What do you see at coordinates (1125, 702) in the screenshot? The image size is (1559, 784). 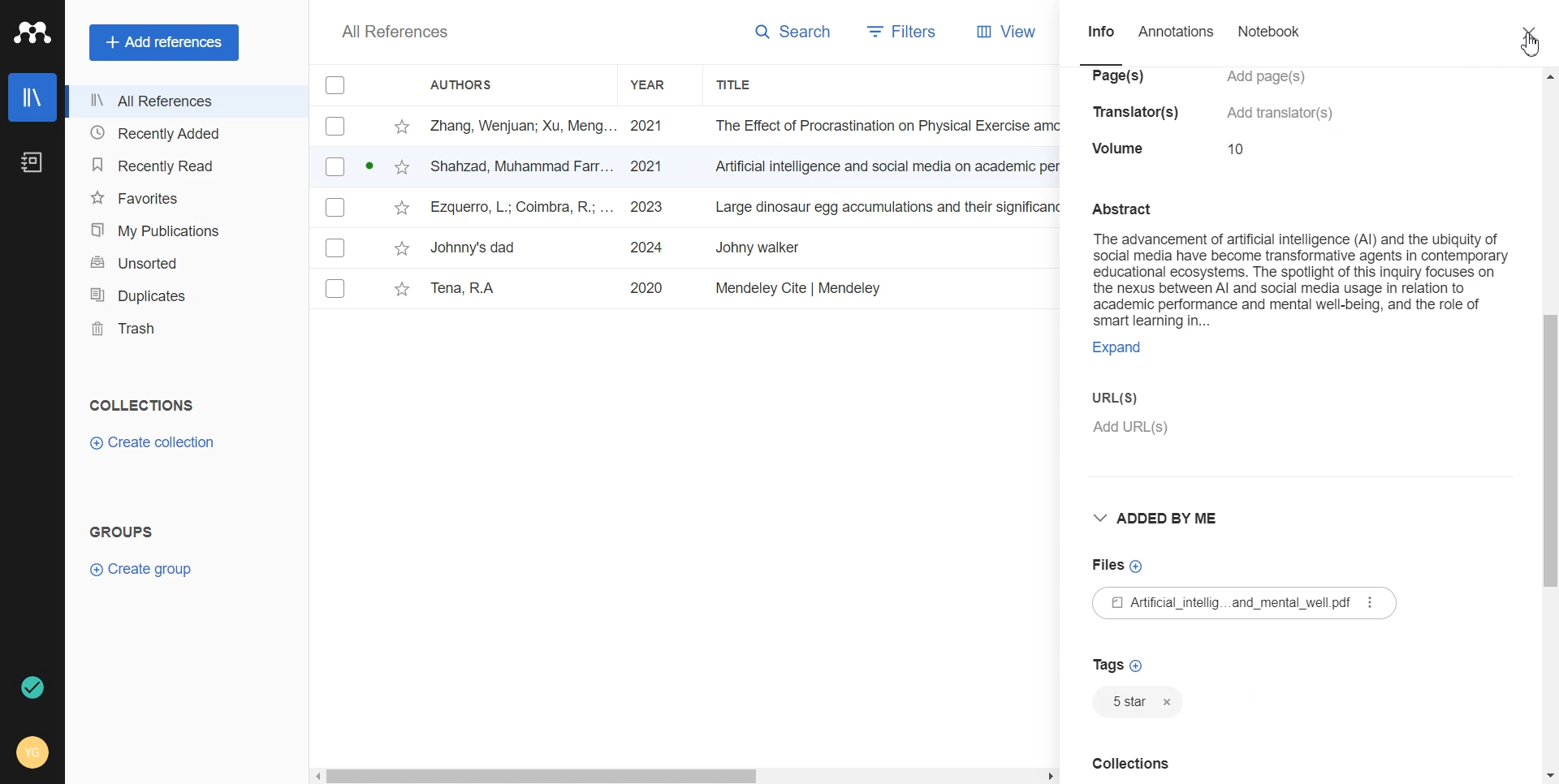 I see `5 Star` at bounding box center [1125, 702].